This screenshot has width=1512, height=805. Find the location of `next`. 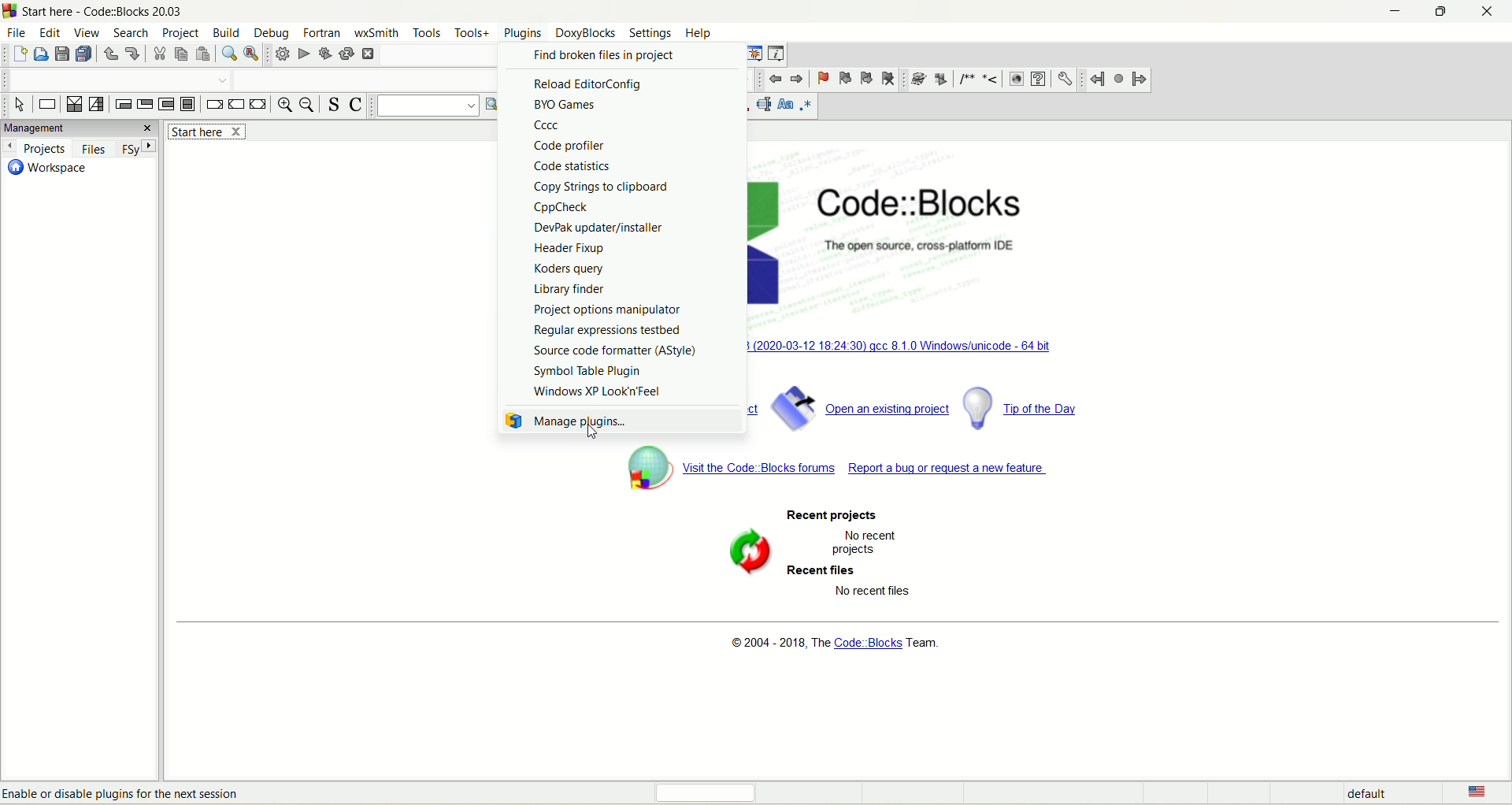

next is located at coordinates (798, 79).